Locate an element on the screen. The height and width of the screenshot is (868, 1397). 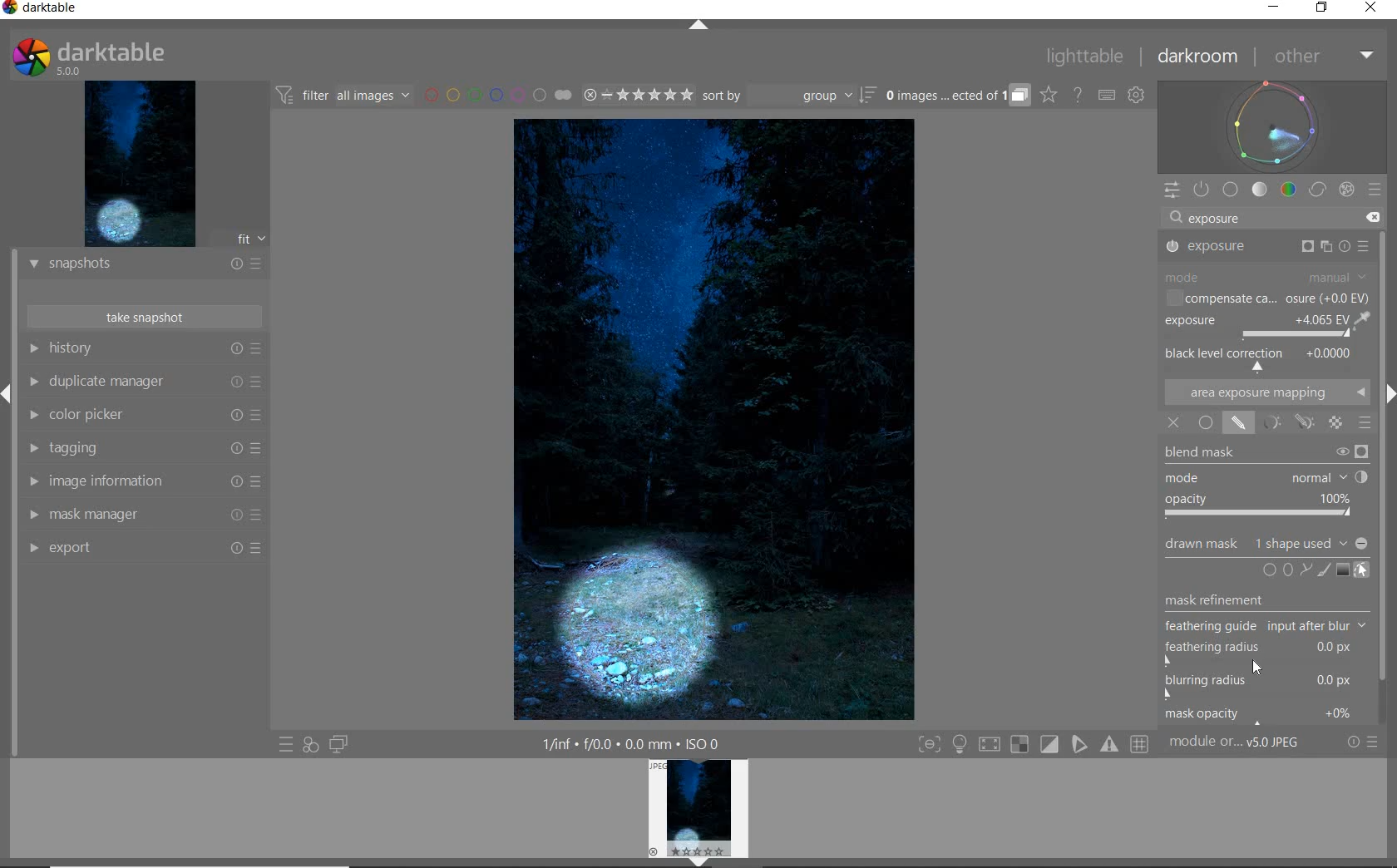
CLOSE is located at coordinates (1370, 10).